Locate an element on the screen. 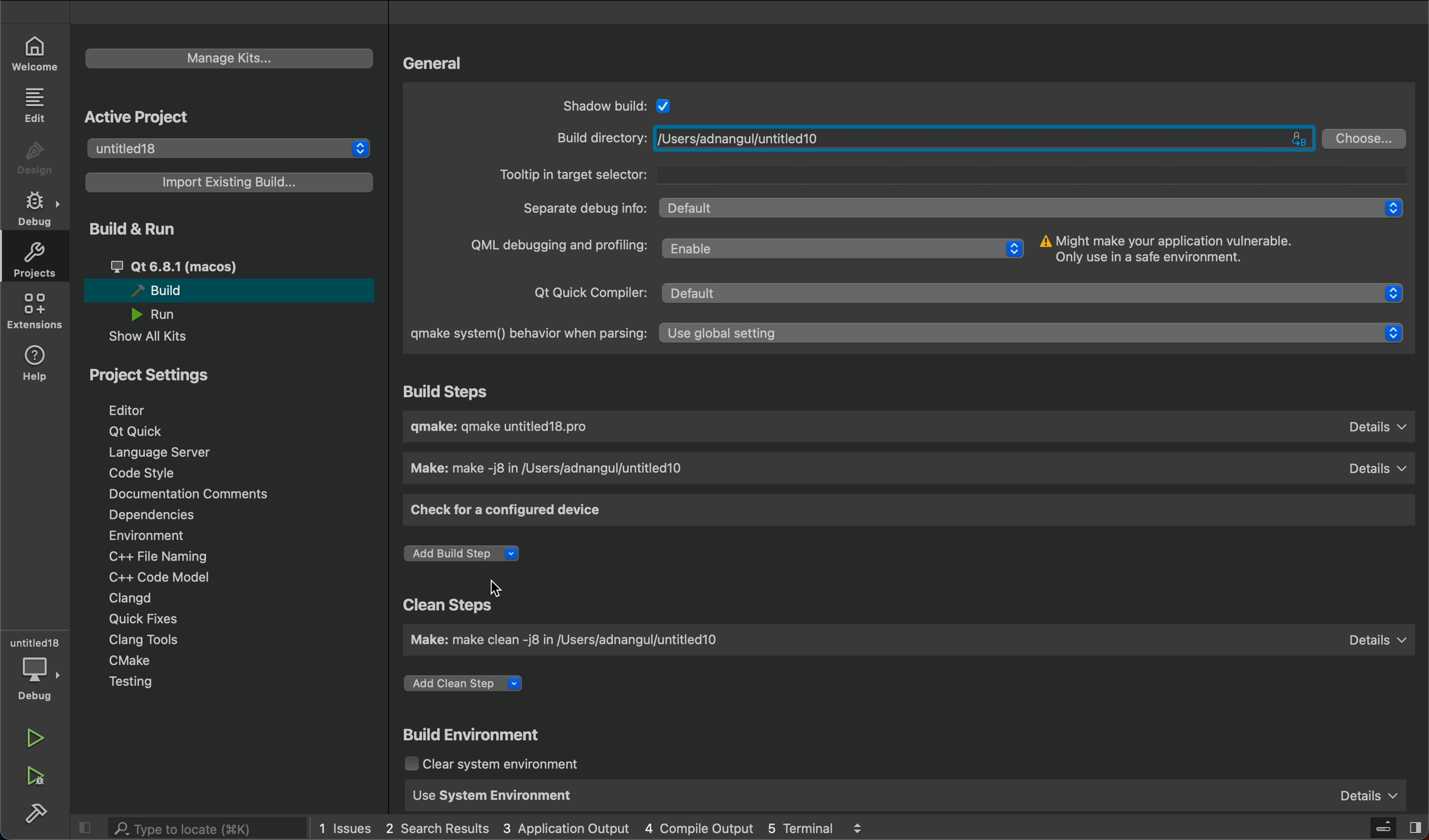 The width and height of the screenshot is (1429, 840). Documentation Comments is located at coordinates (189, 493).